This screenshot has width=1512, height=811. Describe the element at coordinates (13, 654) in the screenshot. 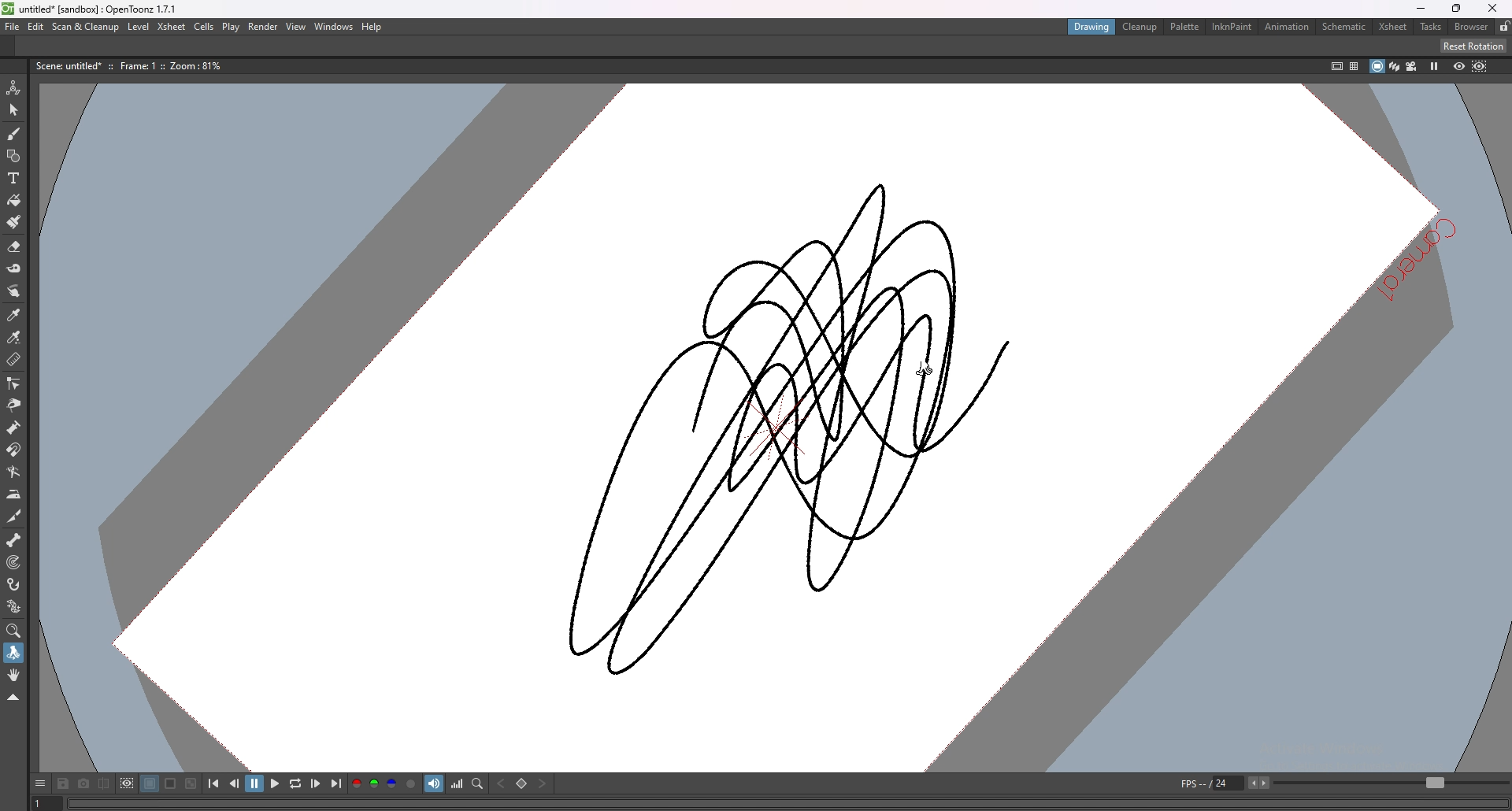

I see `rotate` at that location.